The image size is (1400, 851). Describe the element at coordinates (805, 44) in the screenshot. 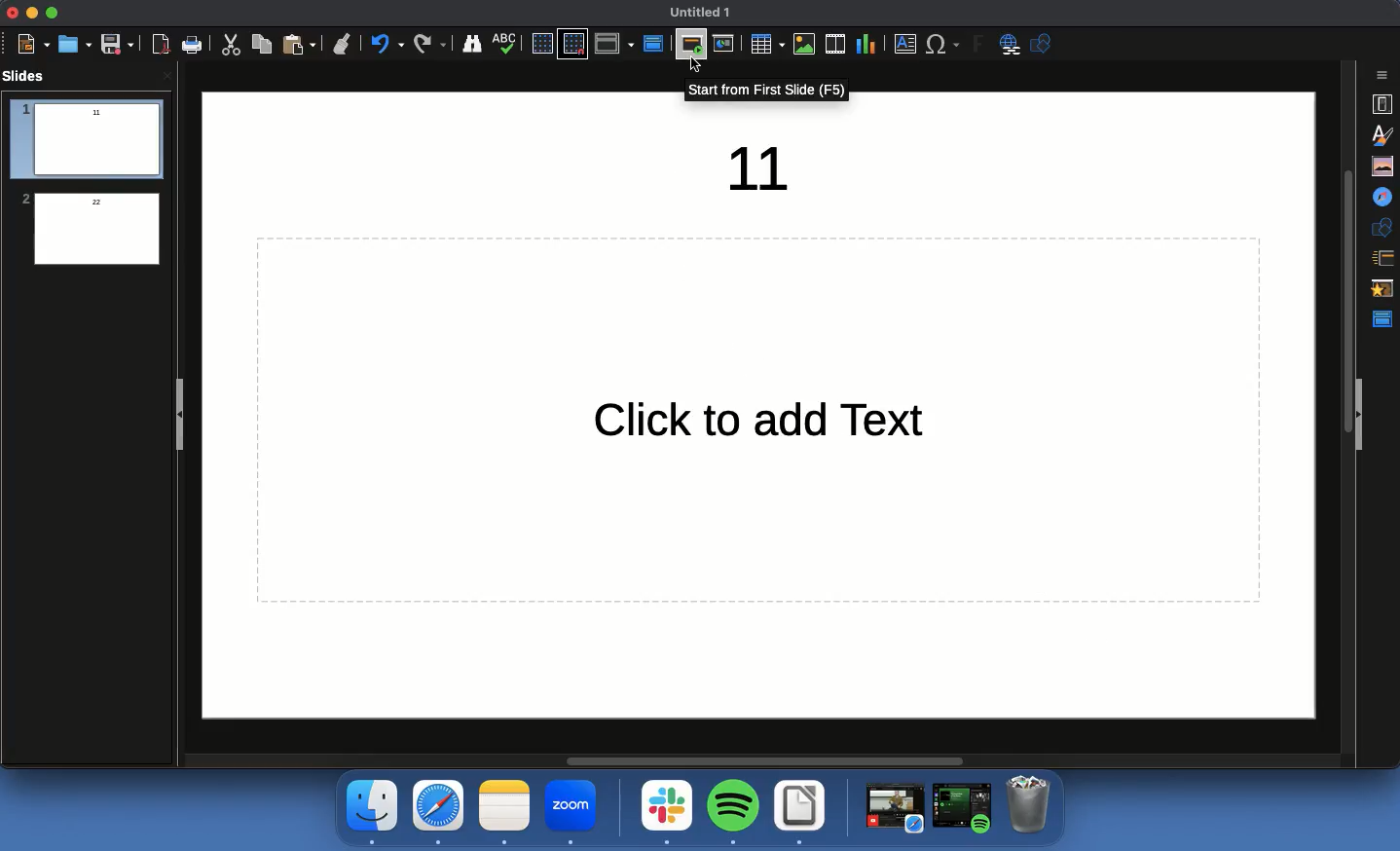

I see `Image` at that location.